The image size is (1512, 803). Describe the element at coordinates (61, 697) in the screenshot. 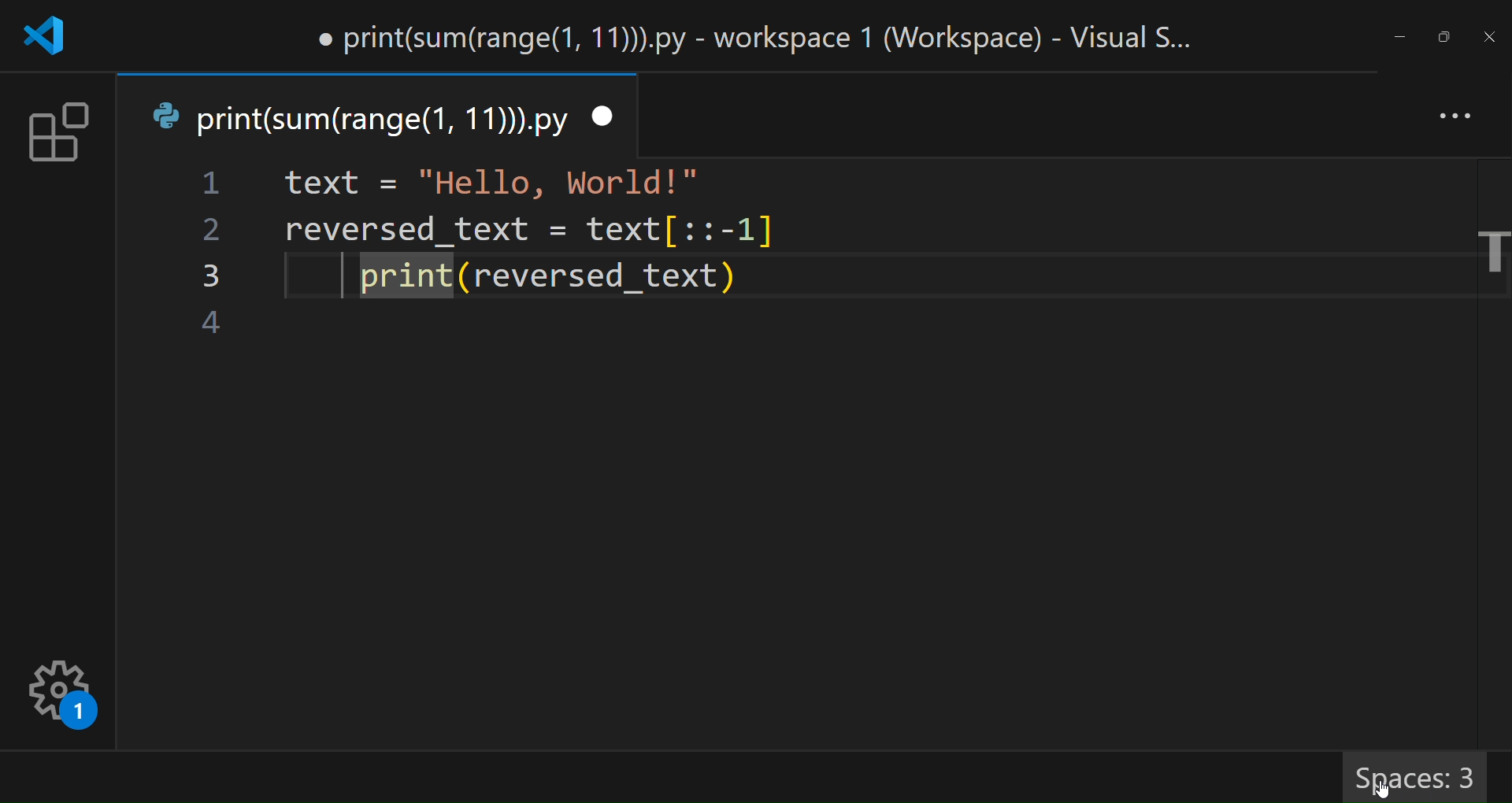

I see `settings` at that location.